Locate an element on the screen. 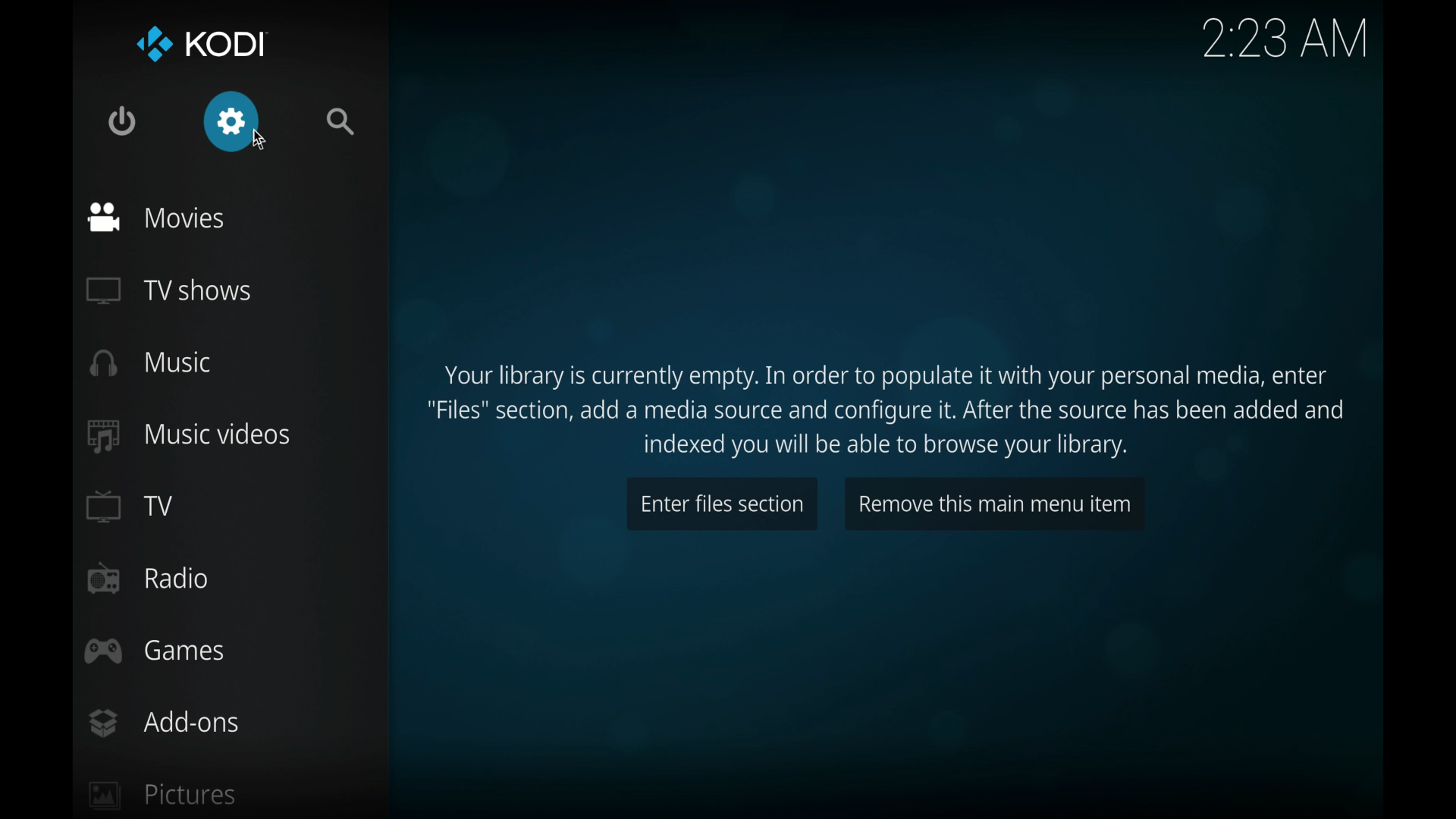  radio is located at coordinates (149, 579).